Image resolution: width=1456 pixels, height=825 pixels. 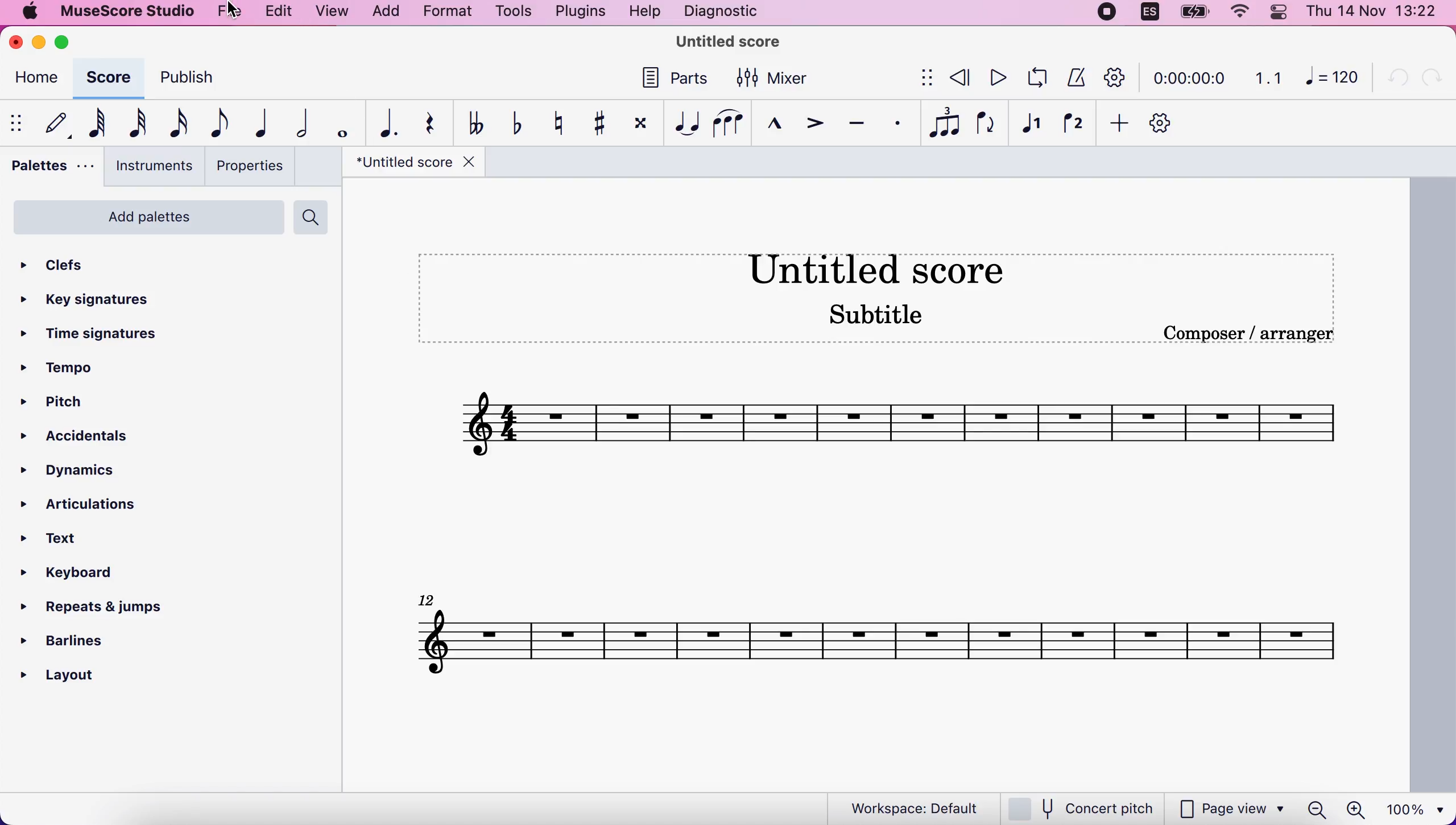 What do you see at coordinates (428, 599) in the screenshot?
I see `` at bounding box center [428, 599].